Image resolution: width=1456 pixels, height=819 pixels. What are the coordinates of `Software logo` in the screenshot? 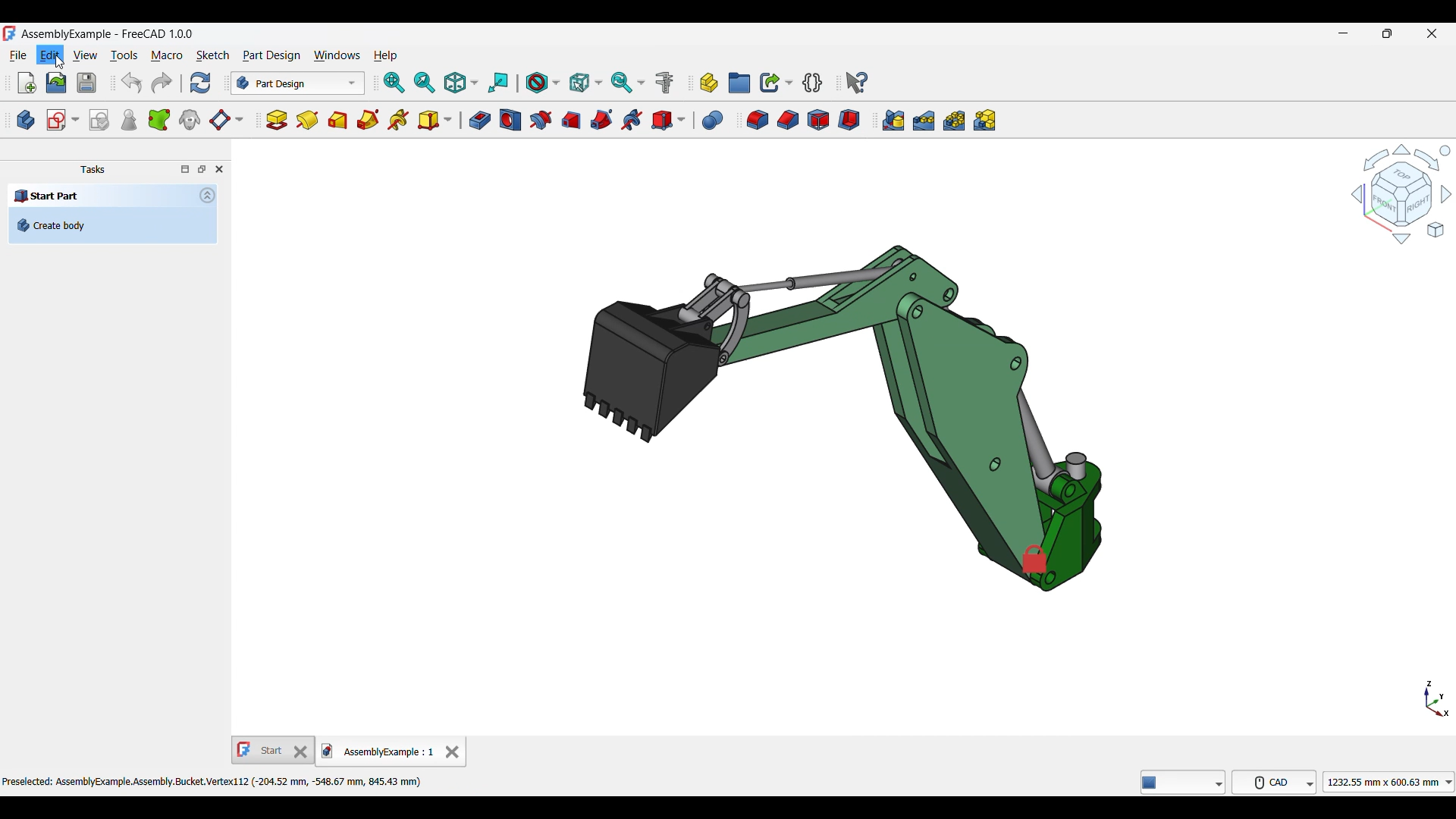 It's located at (9, 33).